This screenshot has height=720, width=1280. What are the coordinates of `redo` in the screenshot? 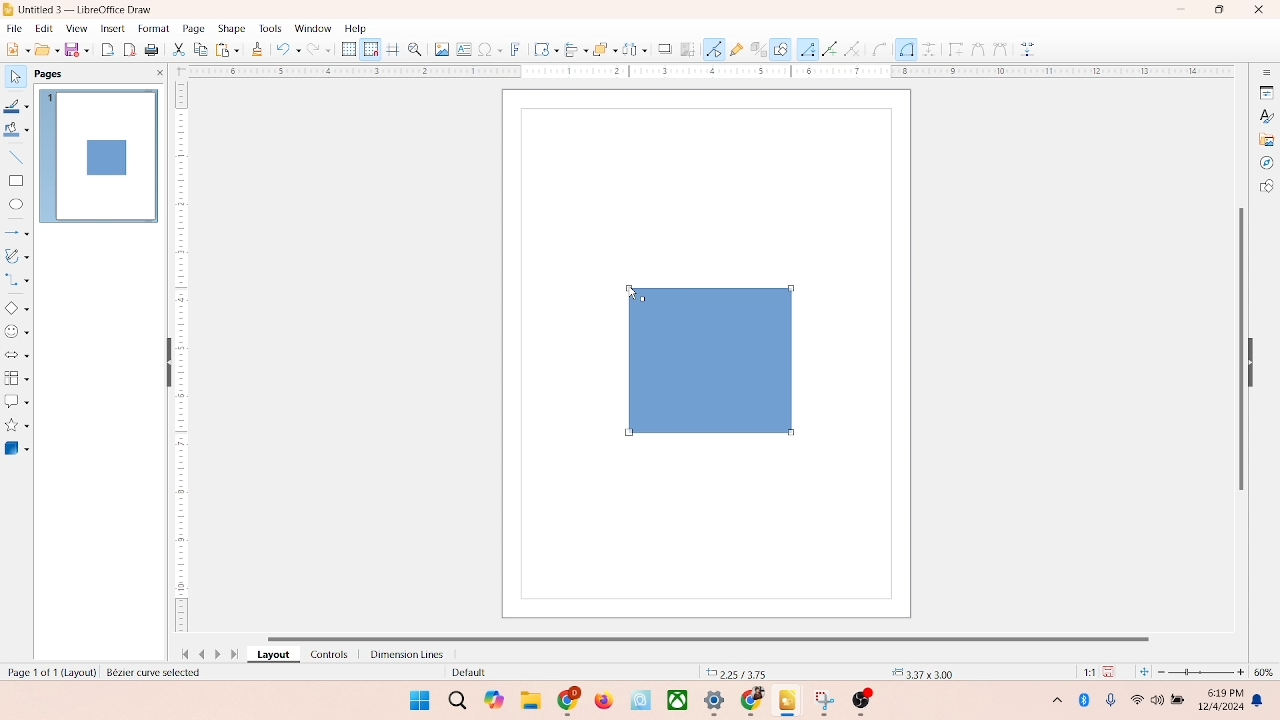 It's located at (323, 51).